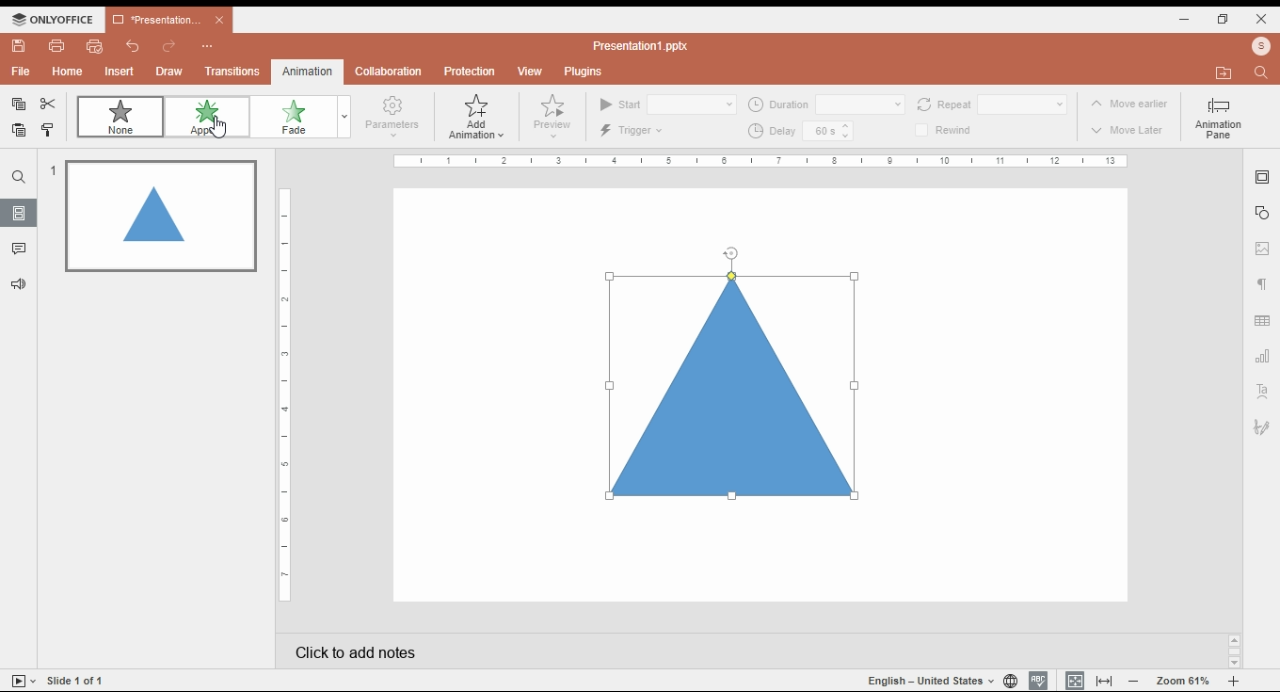 This screenshot has height=692, width=1280. What do you see at coordinates (1262, 46) in the screenshot?
I see `profile` at bounding box center [1262, 46].